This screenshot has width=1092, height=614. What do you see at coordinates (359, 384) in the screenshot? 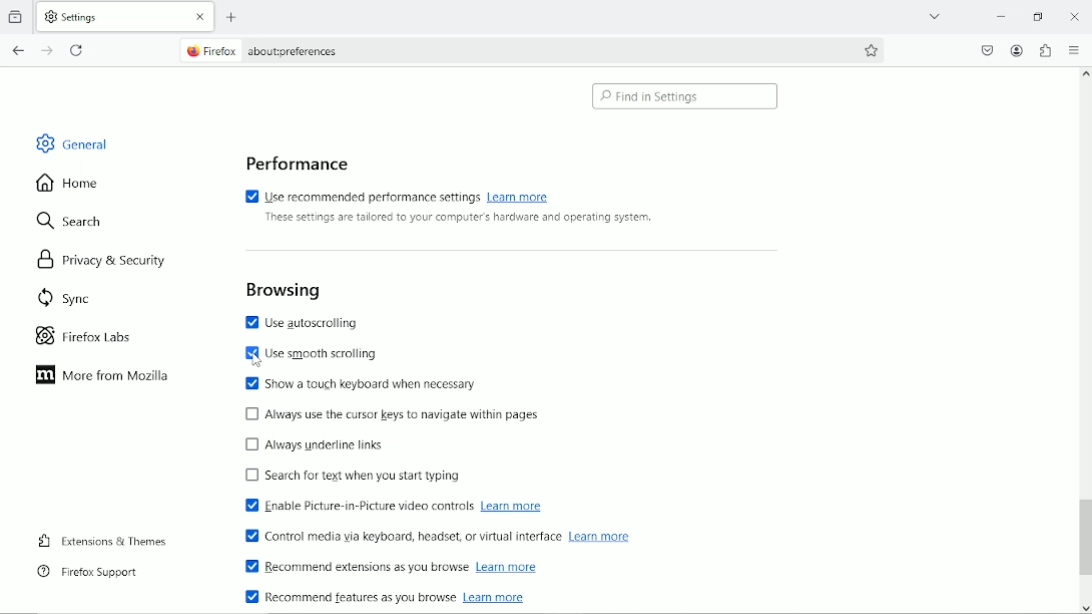
I see `Show a touch keyboard when necessary` at bounding box center [359, 384].